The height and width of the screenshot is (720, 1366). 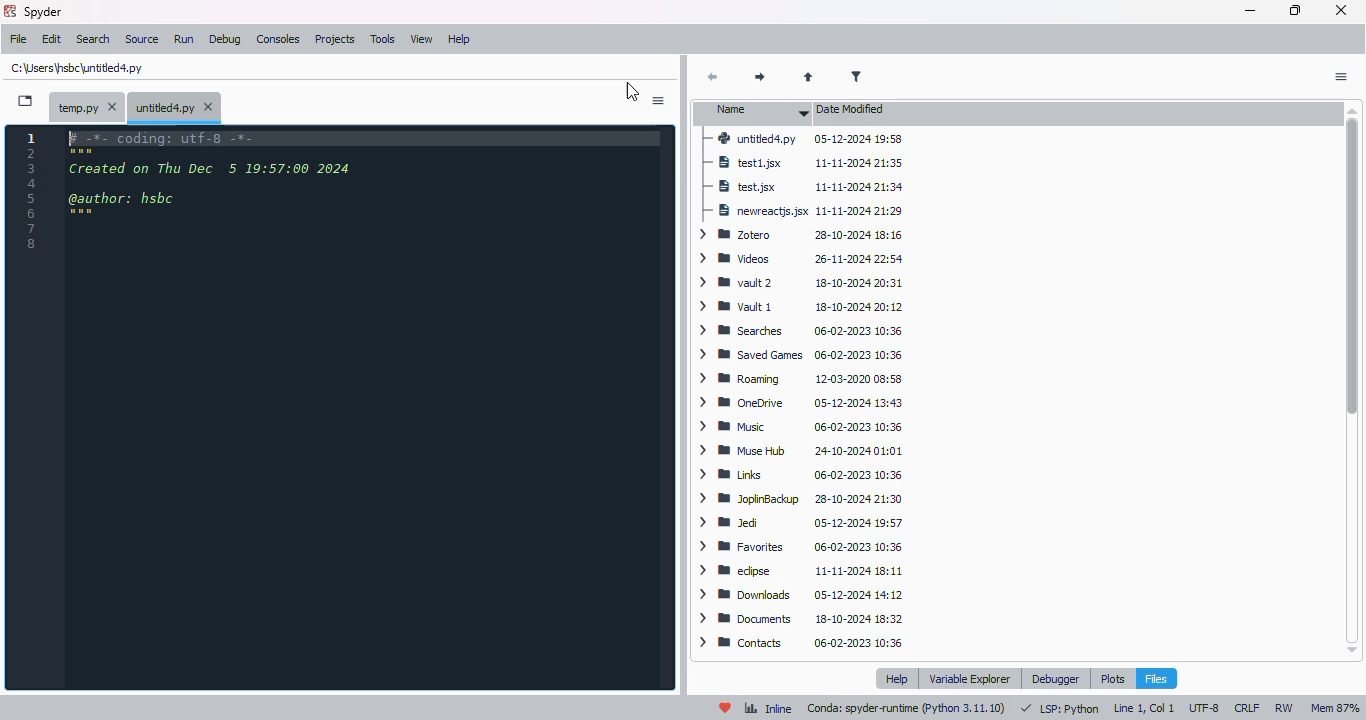 What do you see at coordinates (712, 77) in the screenshot?
I see `back` at bounding box center [712, 77].